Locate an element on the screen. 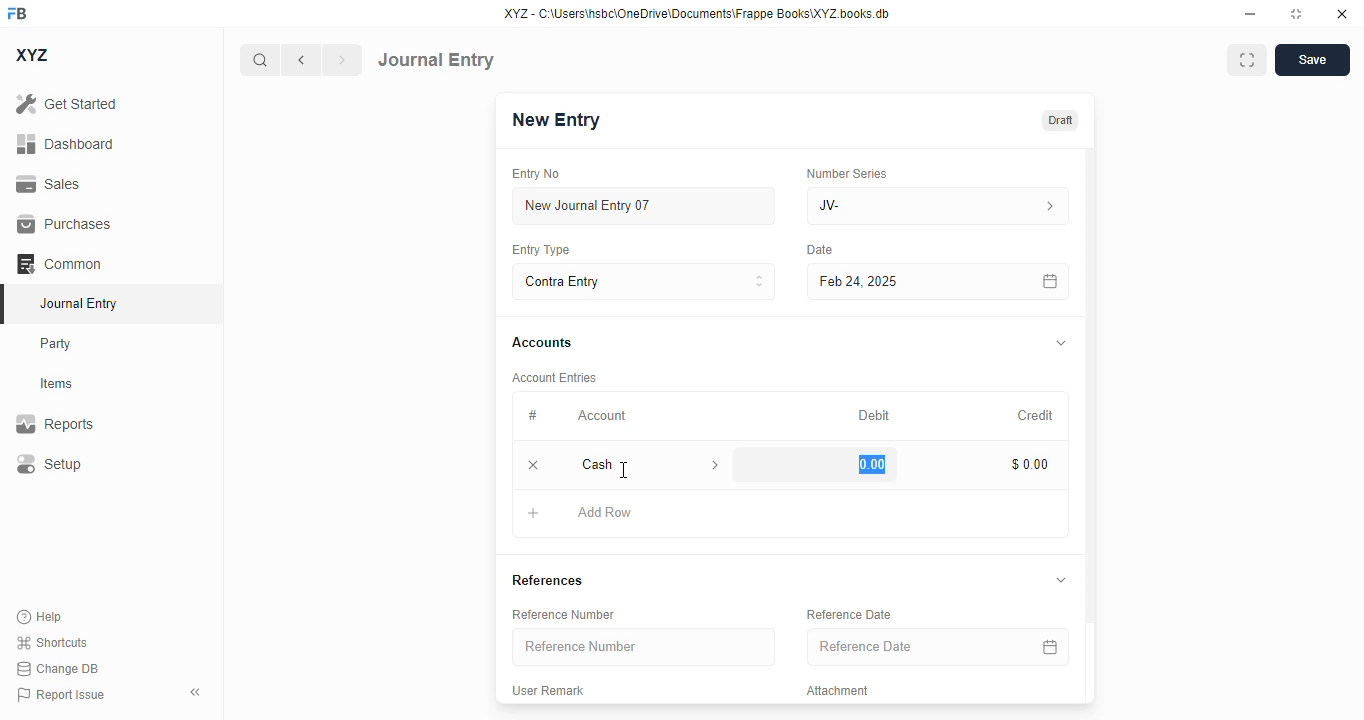  accounts is located at coordinates (542, 344).